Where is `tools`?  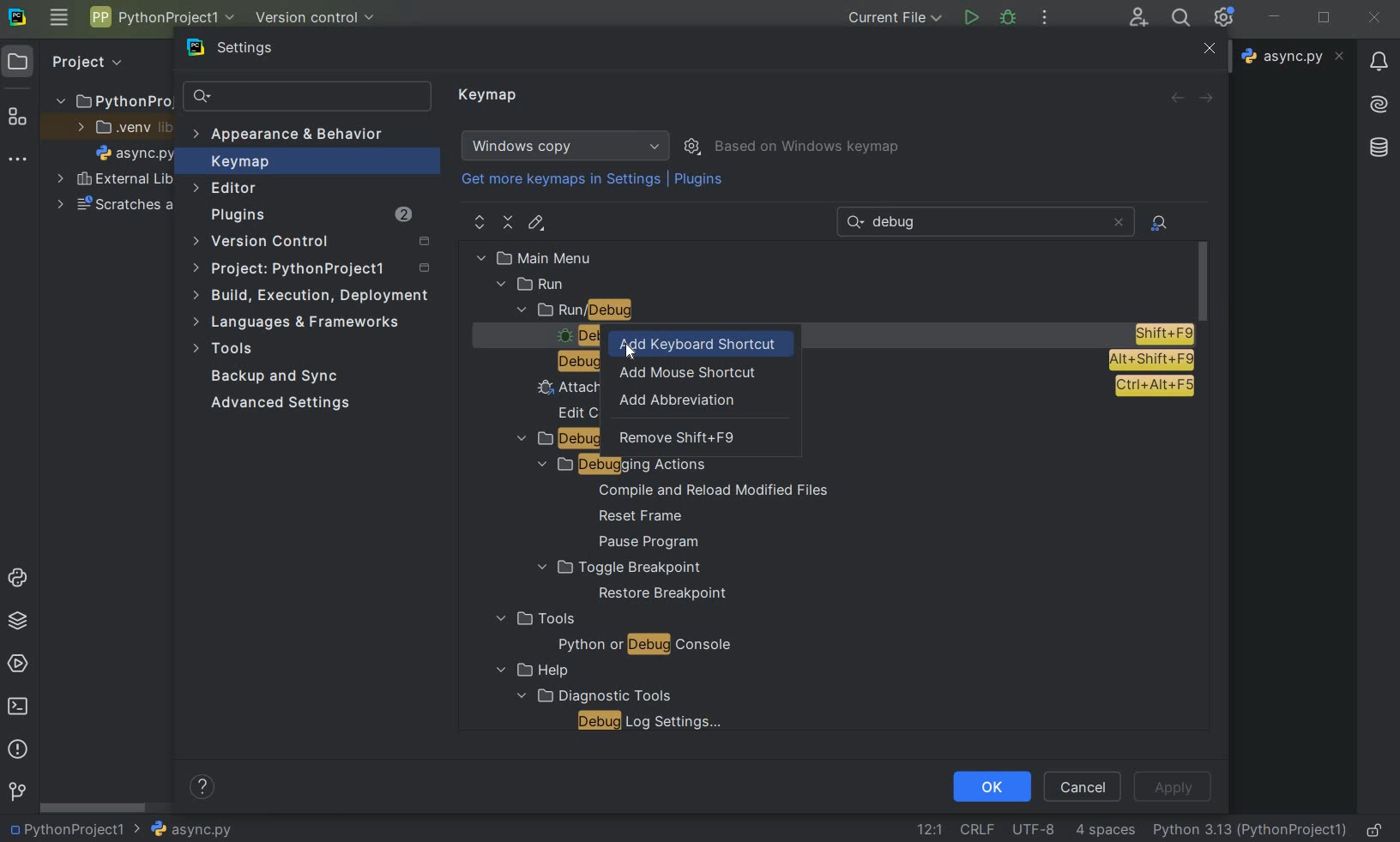 tools is located at coordinates (226, 351).